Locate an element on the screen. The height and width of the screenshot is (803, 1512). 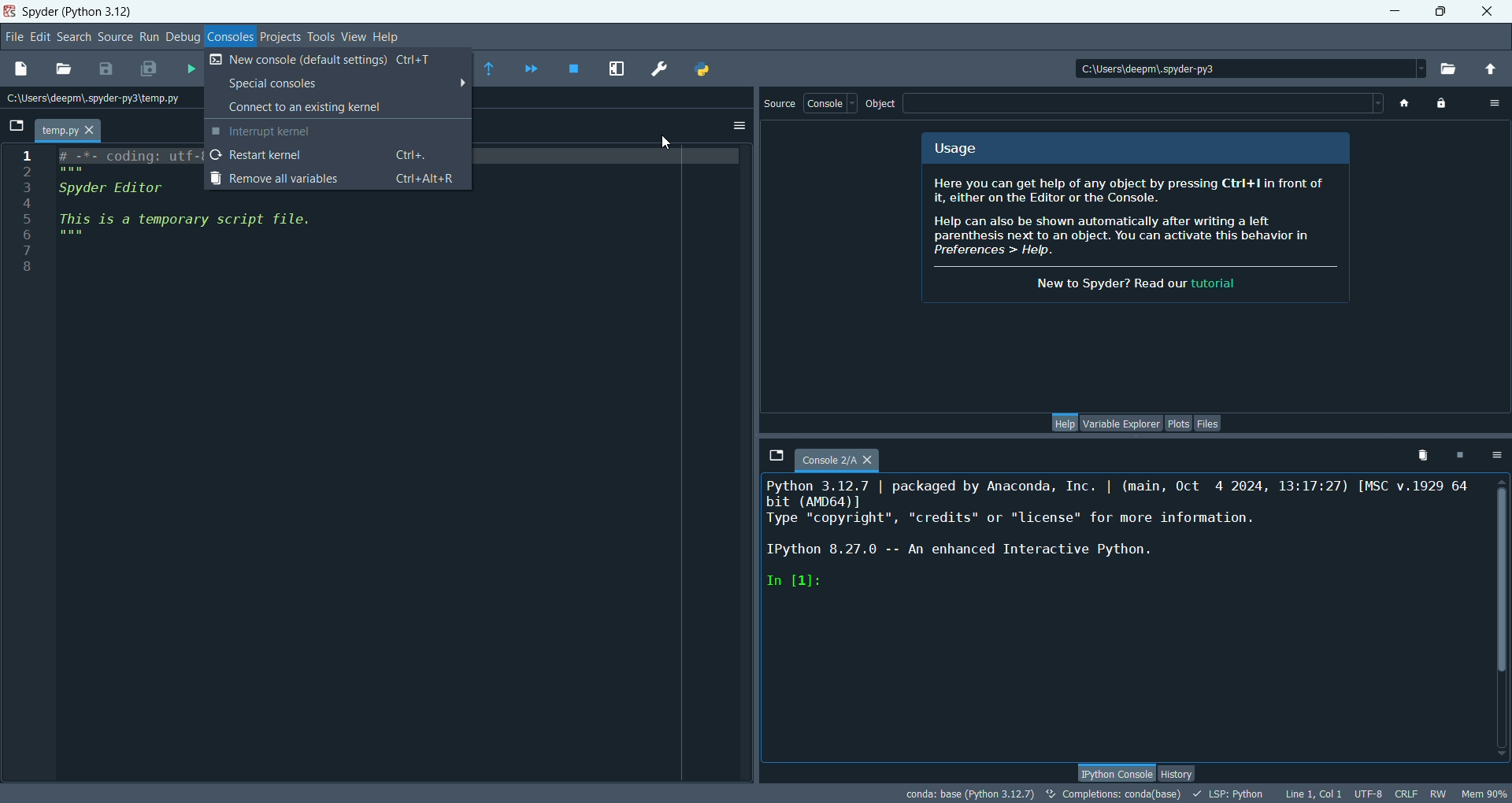
projects is located at coordinates (280, 35).